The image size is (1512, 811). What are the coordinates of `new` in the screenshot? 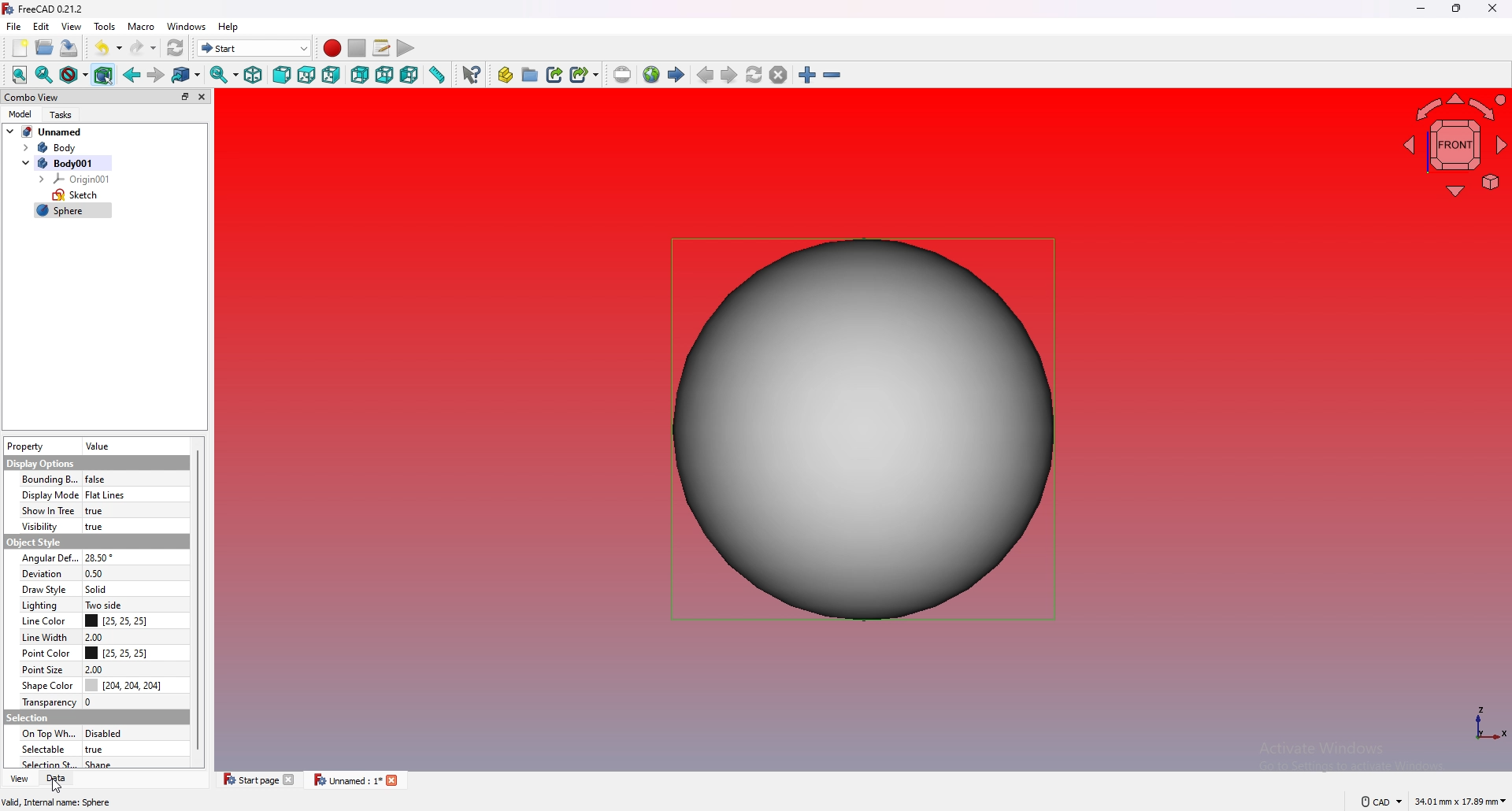 It's located at (18, 48).